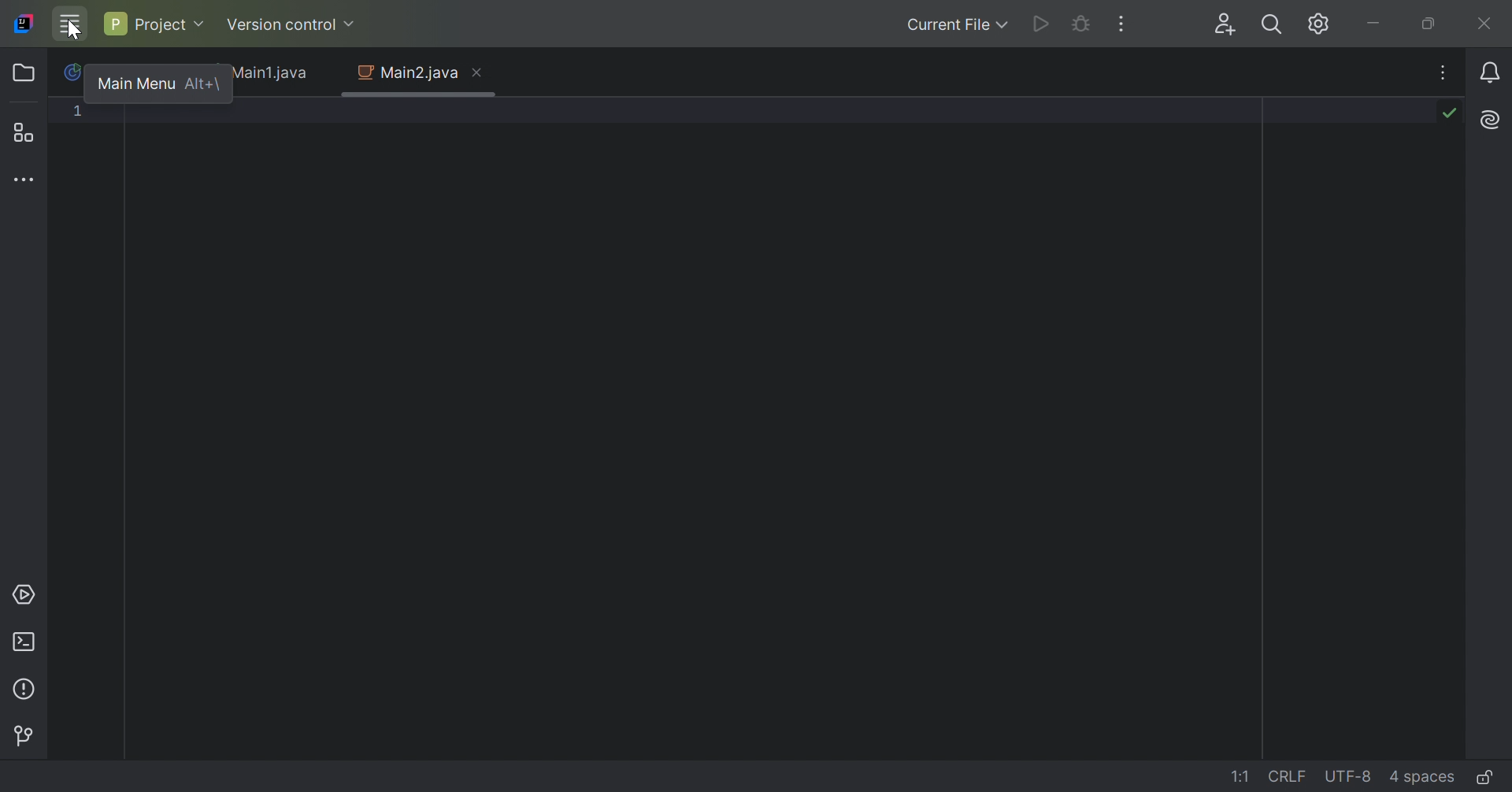 The width and height of the screenshot is (1512, 792). Describe the element at coordinates (135, 81) in the screenshot. I see `Main Menu` at that location.